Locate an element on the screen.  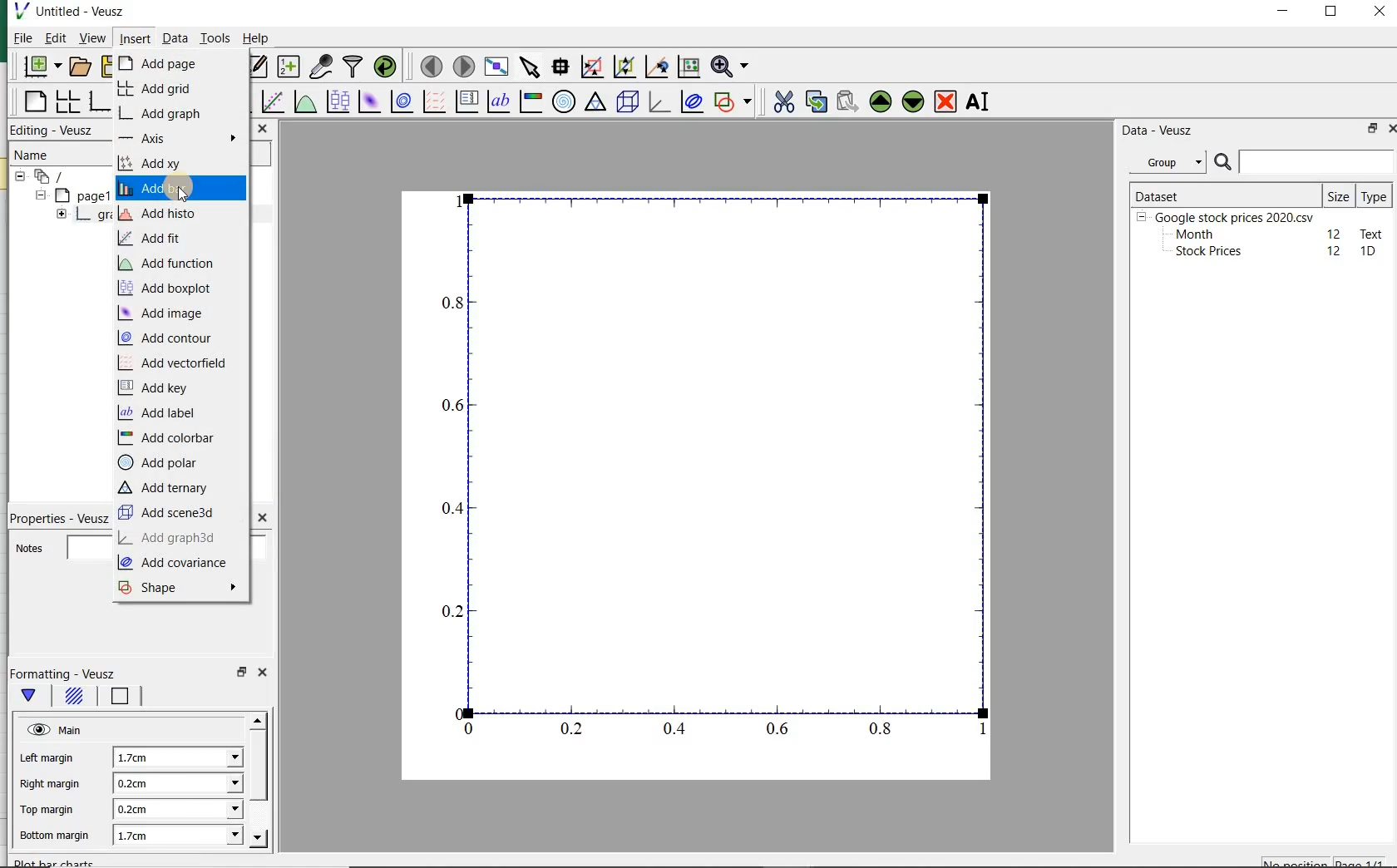
add scene3d is located at coordinates (170, 513).